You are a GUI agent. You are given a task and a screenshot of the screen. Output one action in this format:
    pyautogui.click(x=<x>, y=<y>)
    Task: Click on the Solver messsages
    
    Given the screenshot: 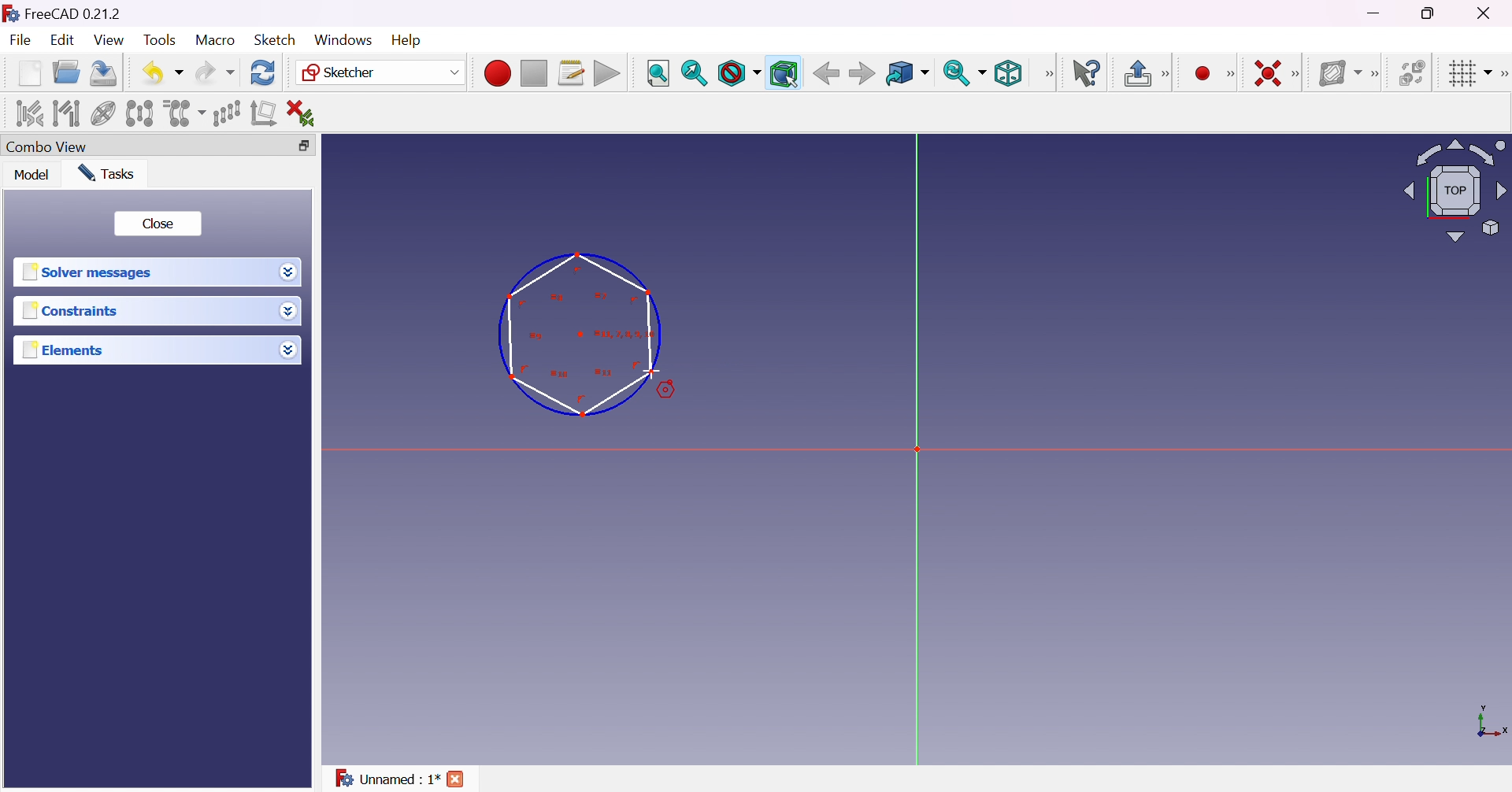 What is the action you would take?
    pyautogui.click(x=91, y=272)
    